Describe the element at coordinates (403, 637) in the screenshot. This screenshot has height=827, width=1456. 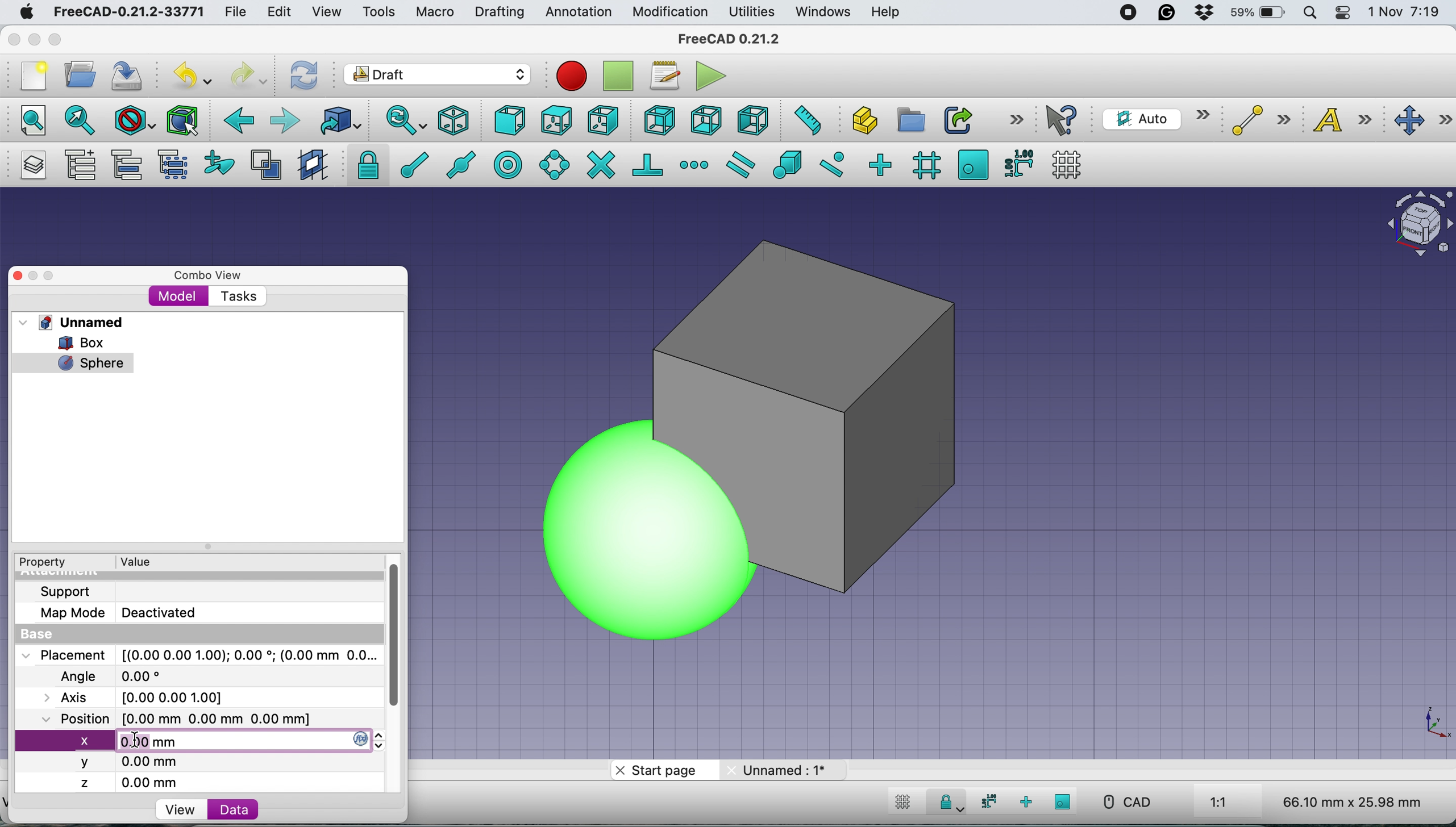
I see `vertical scroll bar` at that location.